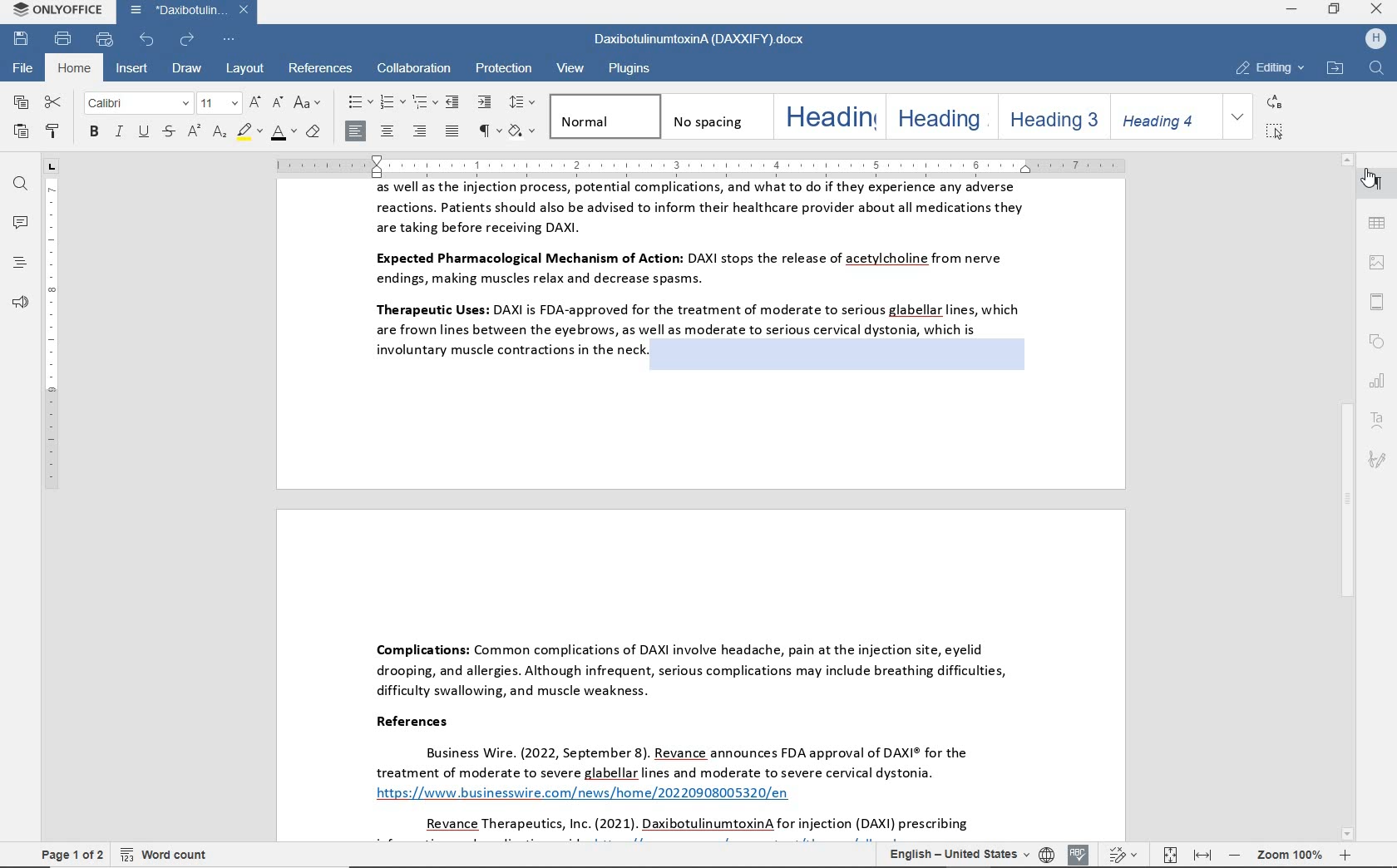  What do you see at coordinates (697, 41) in the screenshot?
I see `document name` at bounding box center [697, 41].